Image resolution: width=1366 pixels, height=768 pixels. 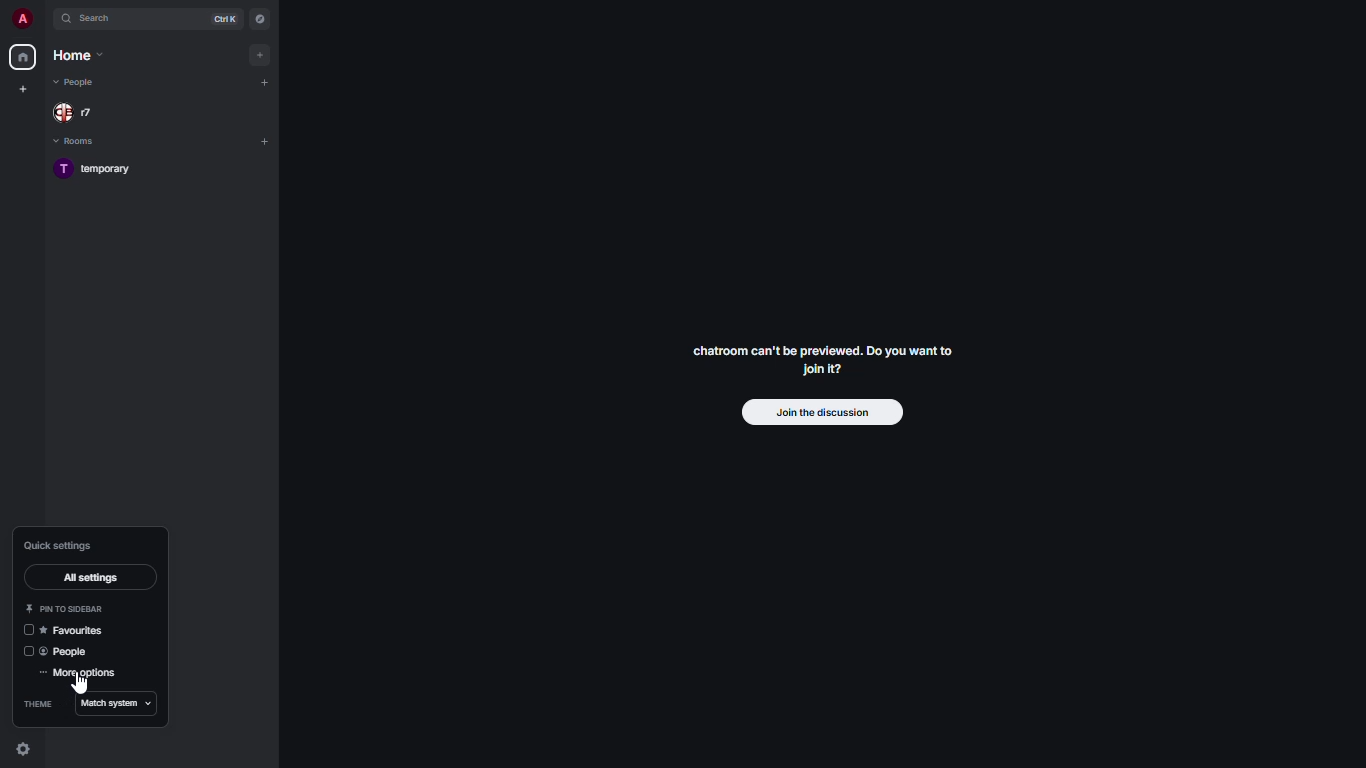 What do you see at coordinates (83, 675) in the screenshot?
I see `more settings` at bounding box center [83, 675].